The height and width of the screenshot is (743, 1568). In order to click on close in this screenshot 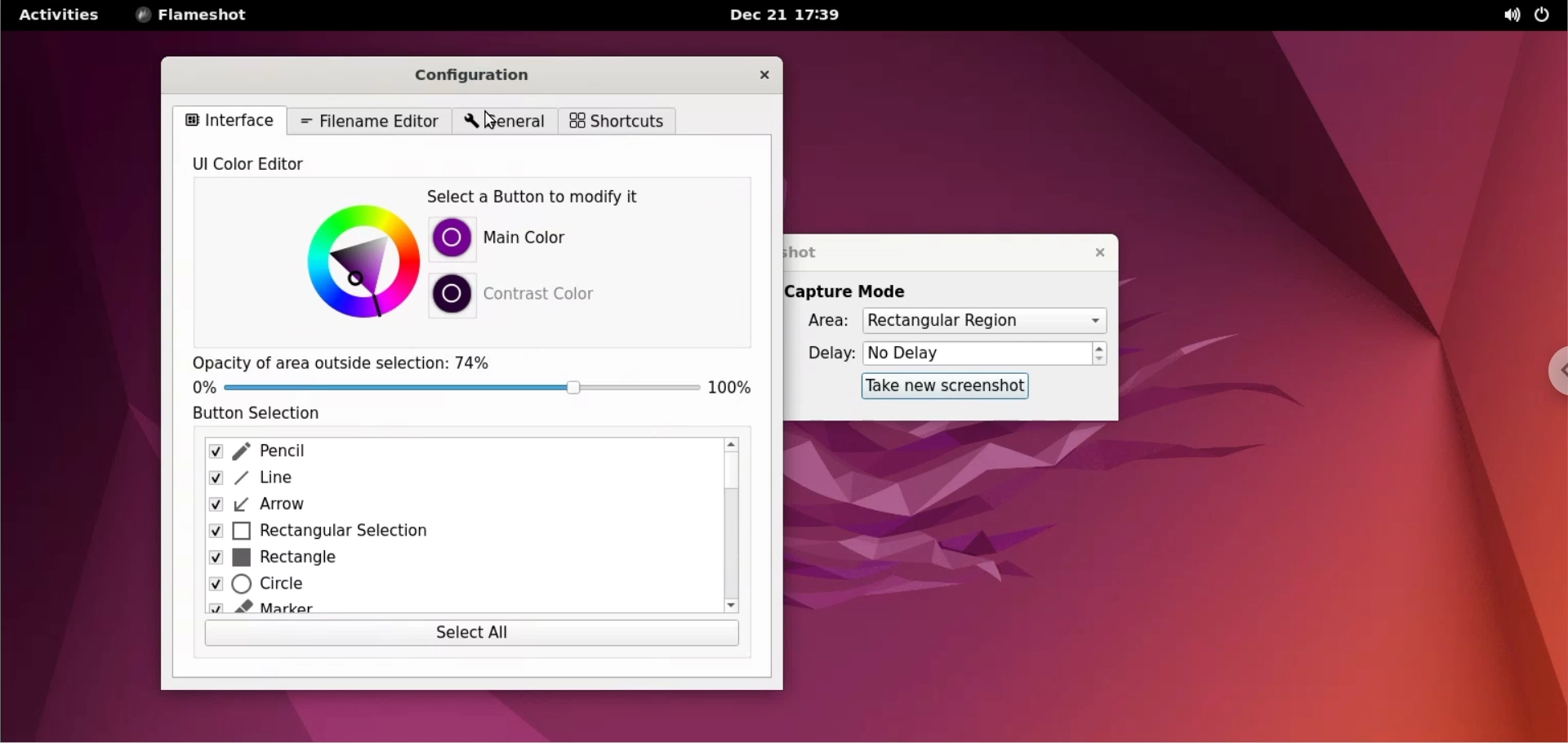, I will do `click(765, 75)`.